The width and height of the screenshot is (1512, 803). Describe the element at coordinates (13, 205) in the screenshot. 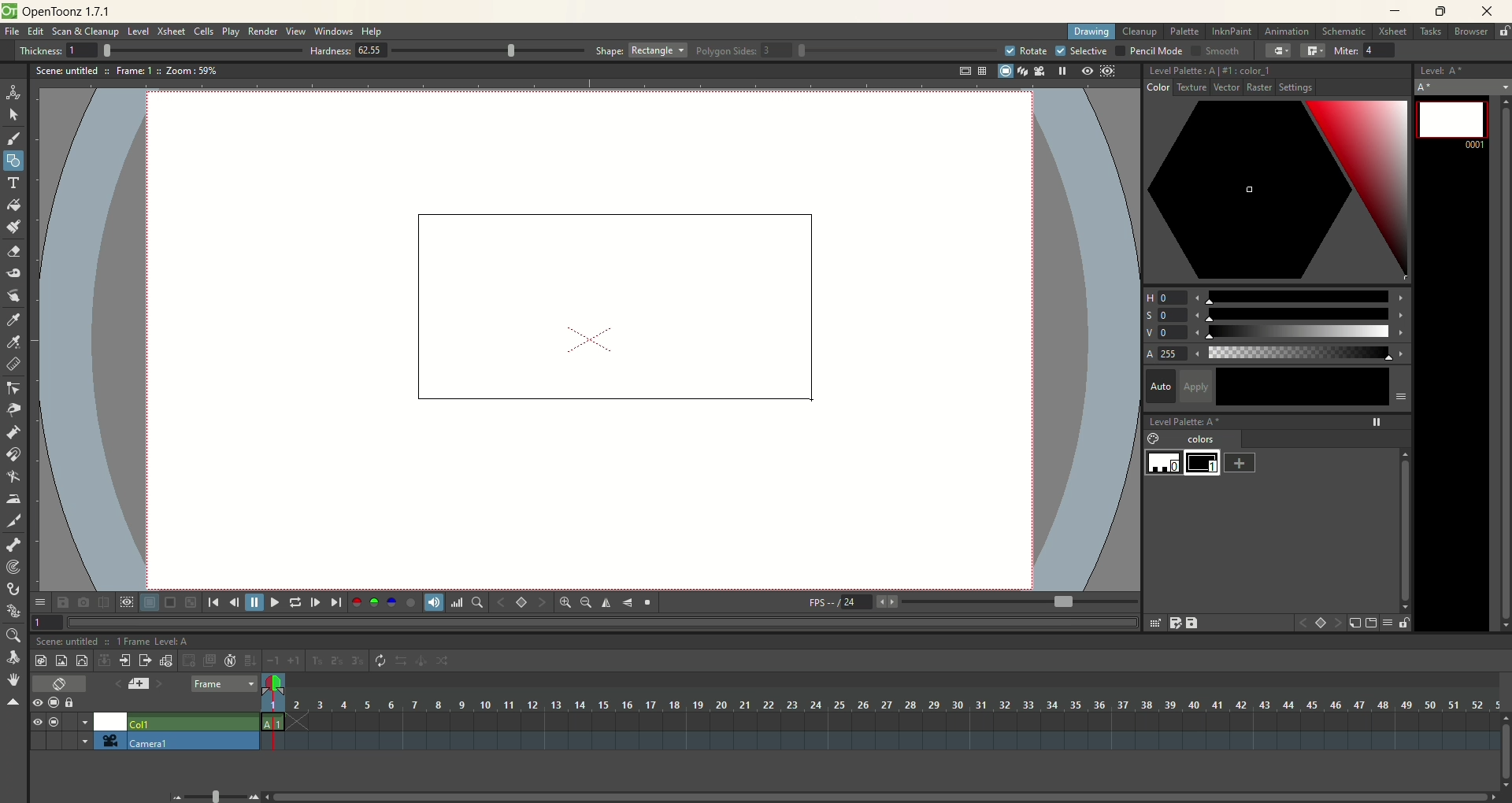

I see `fill tool` at that location.